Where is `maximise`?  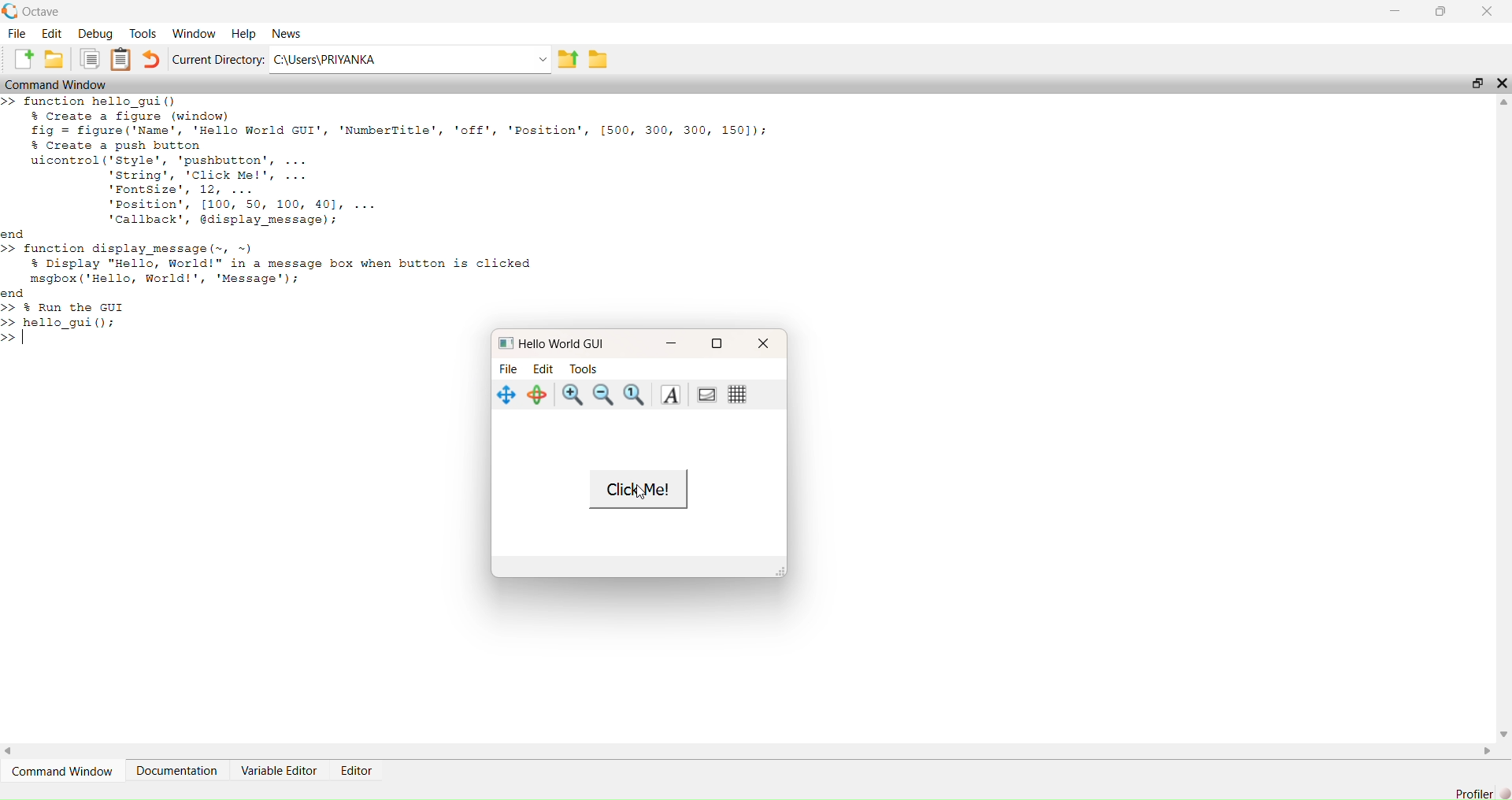 maximise is located at coordinates (1443, 13).